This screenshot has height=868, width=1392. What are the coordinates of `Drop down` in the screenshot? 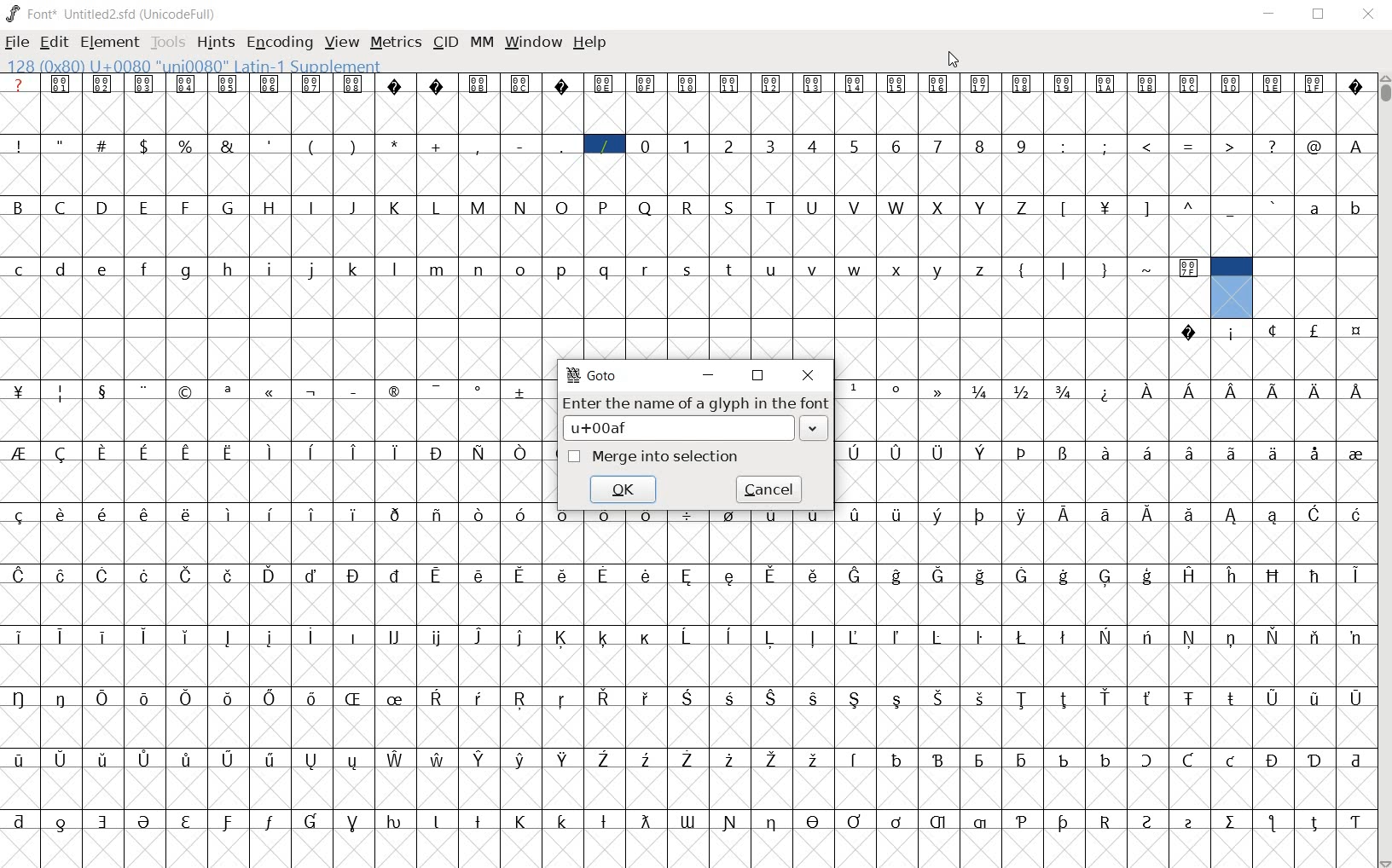 It's located at (816, 431).